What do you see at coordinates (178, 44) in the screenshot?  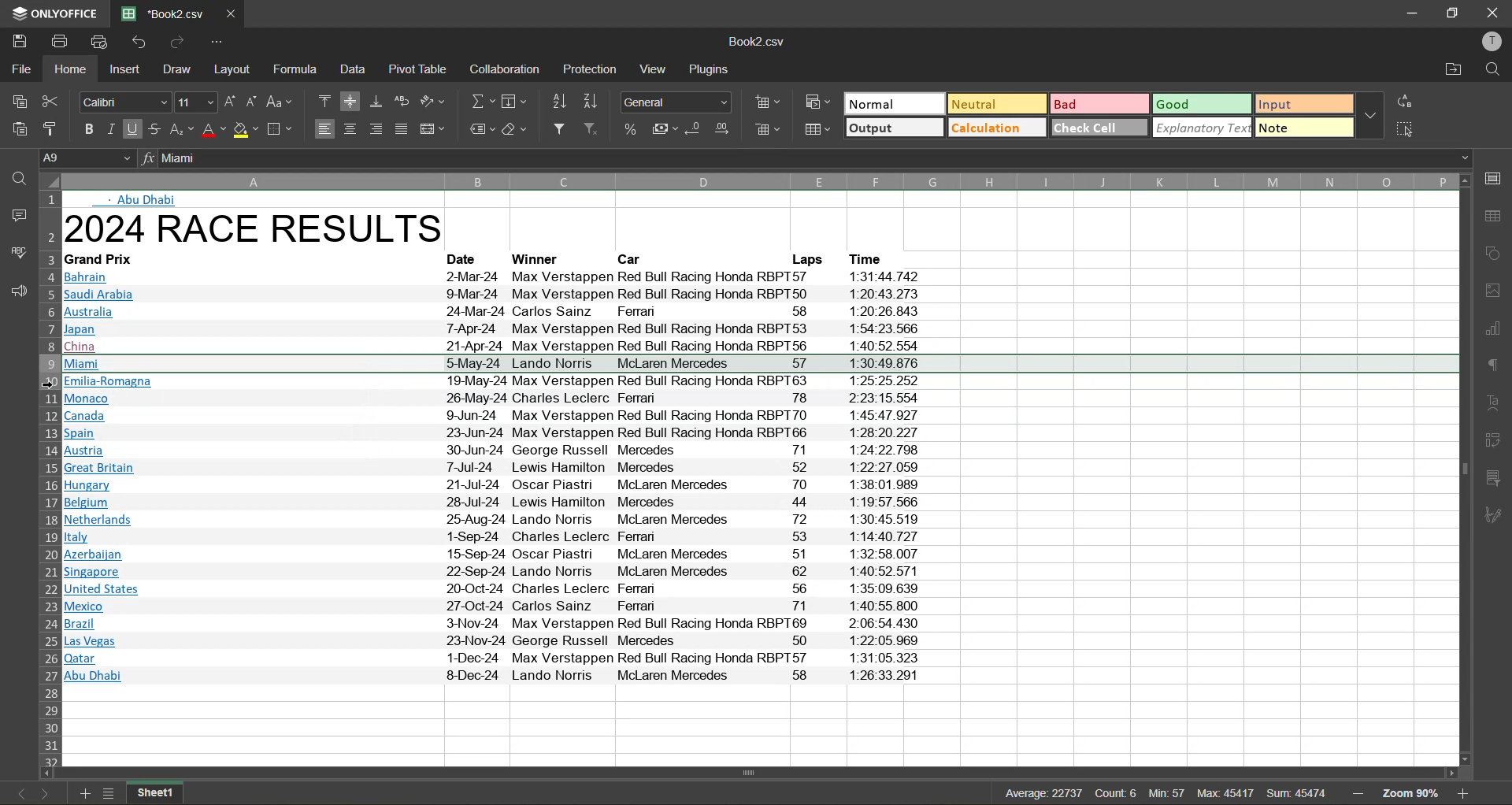 I see `redo` at bounding box center [178, 44].